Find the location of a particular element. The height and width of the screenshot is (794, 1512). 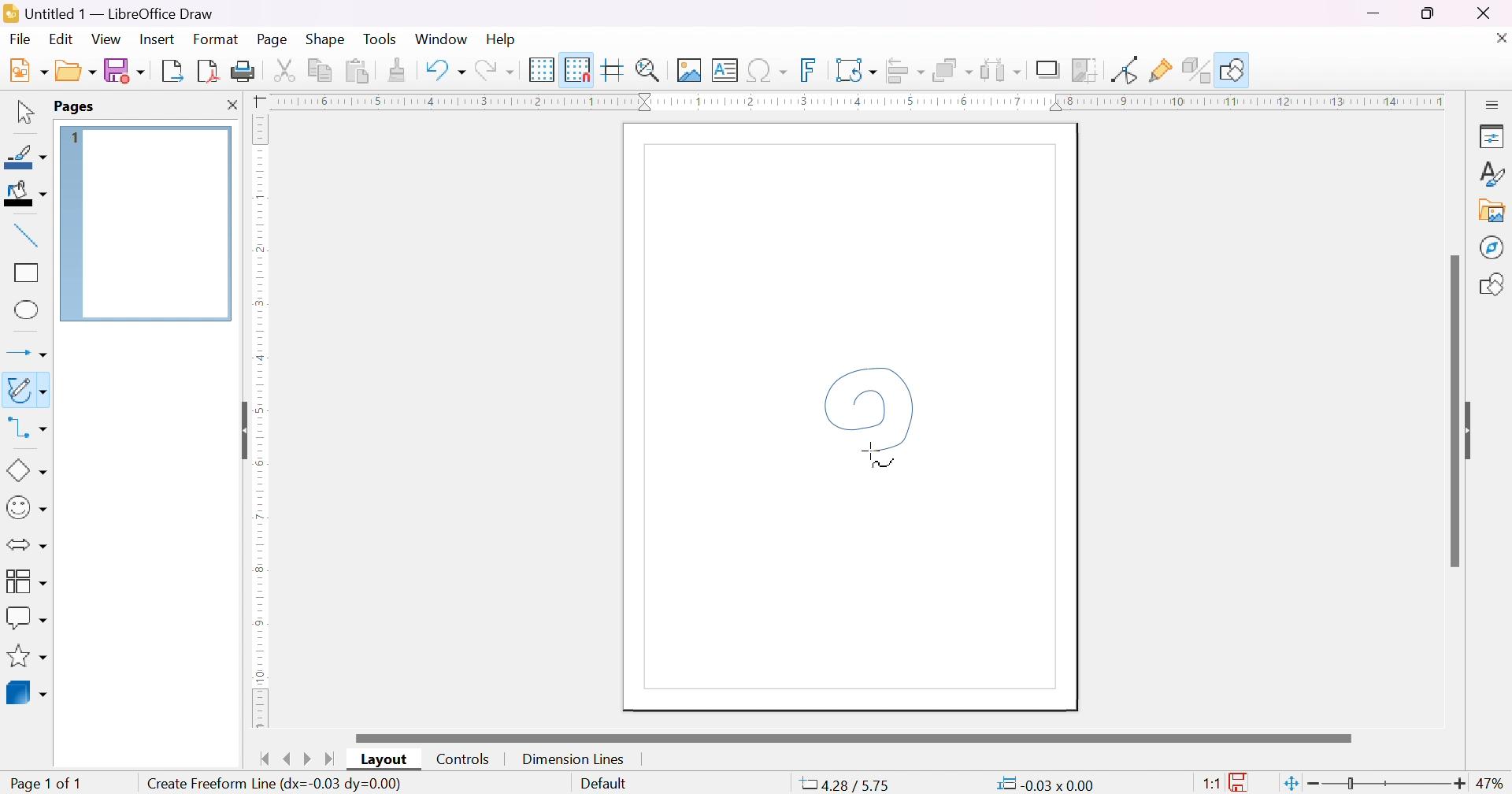

crop image is located at coordinates (1084, 70).